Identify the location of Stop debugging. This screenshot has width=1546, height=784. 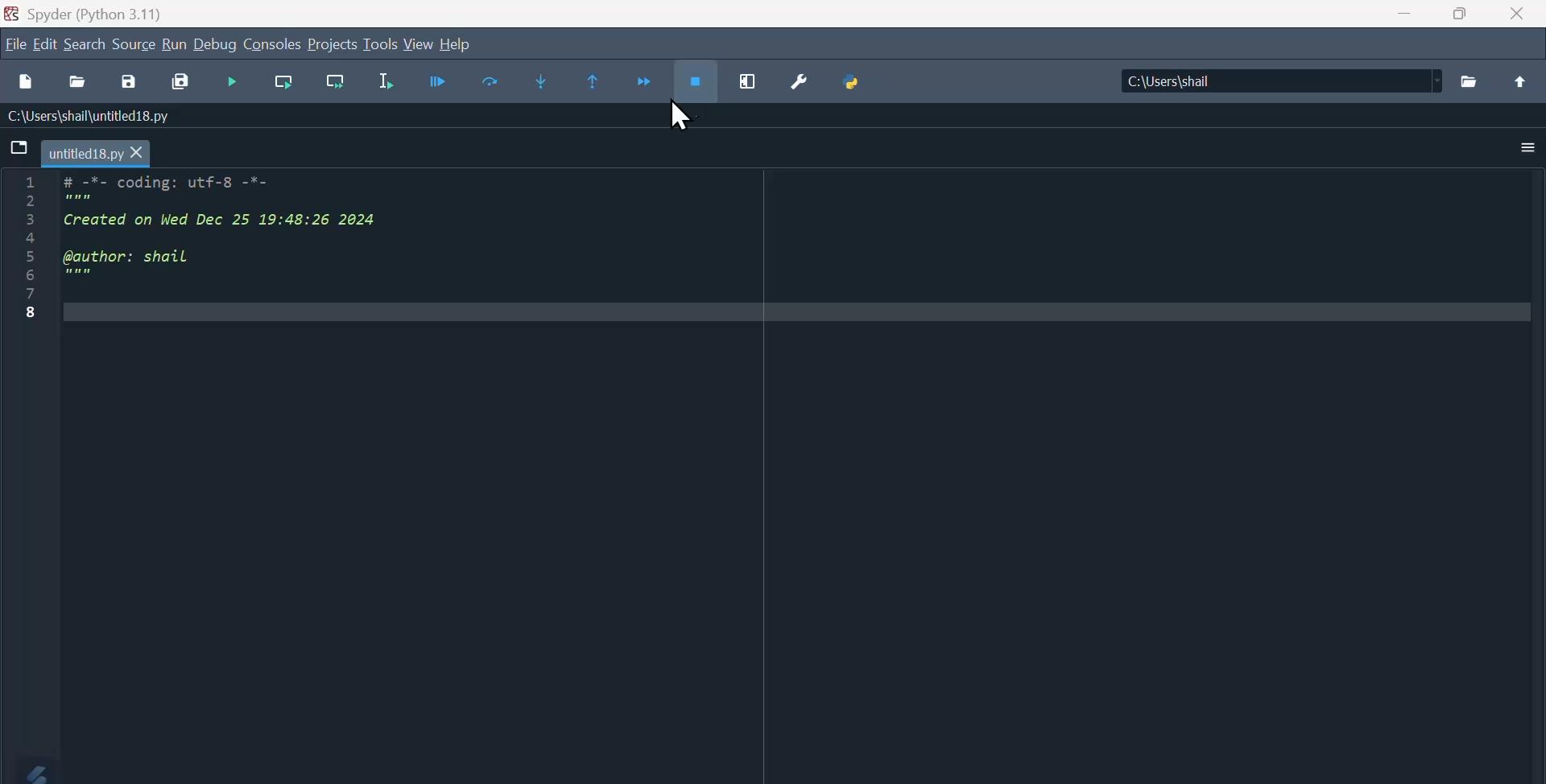
(698, 81).